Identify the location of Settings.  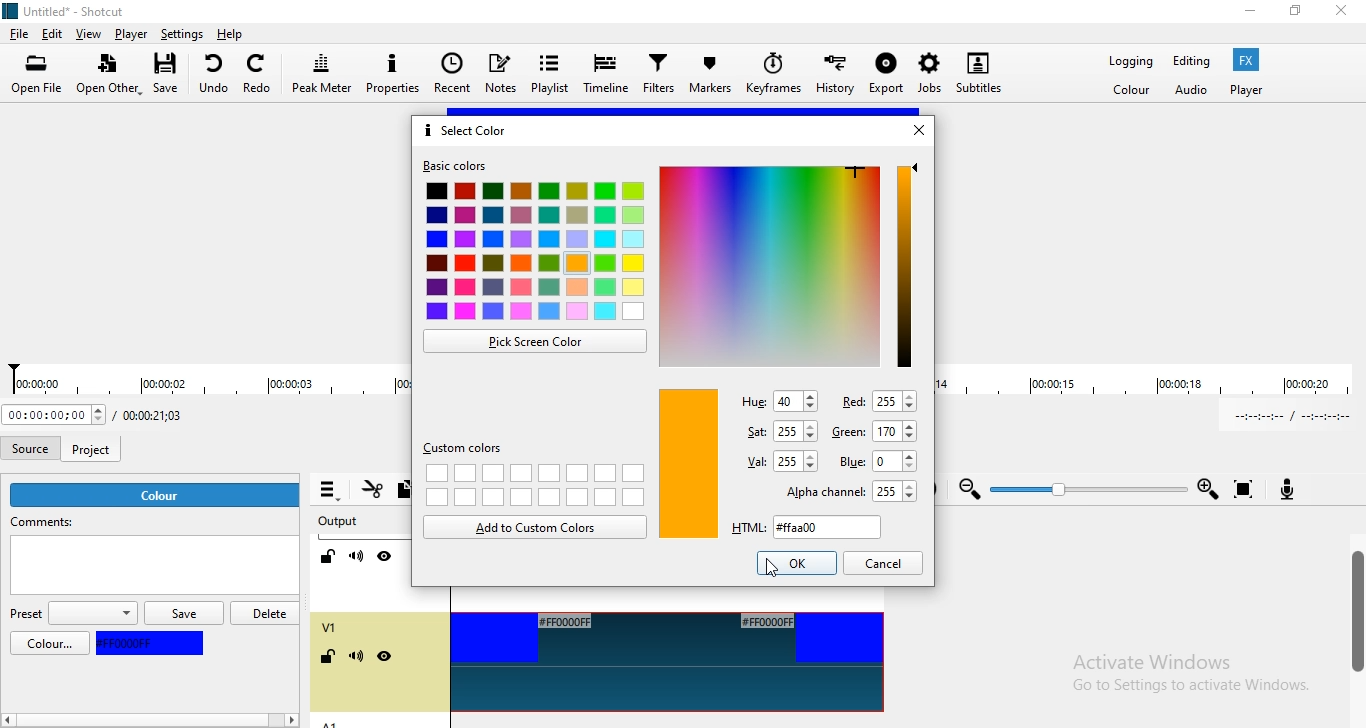
(180, 35).